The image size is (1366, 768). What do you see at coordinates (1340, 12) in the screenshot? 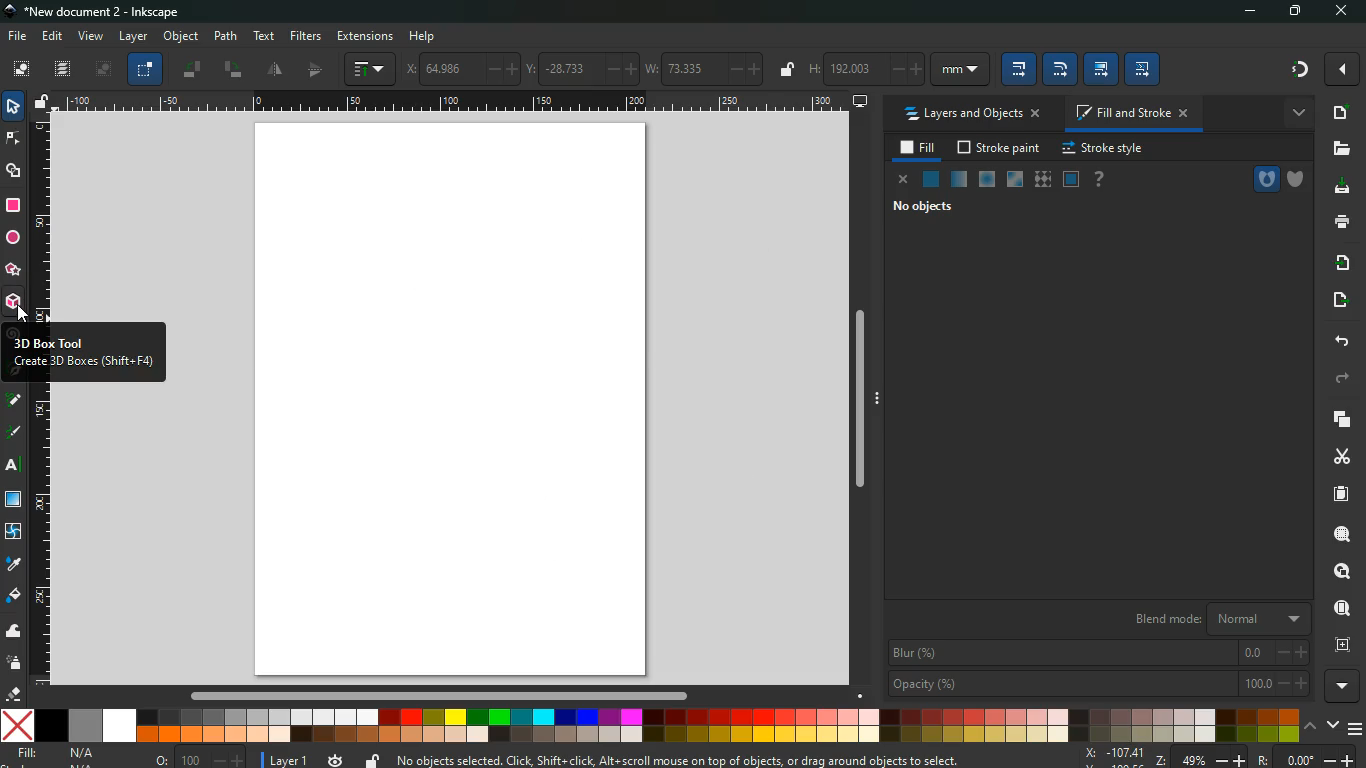
I see `close` at bounding box center [1340, 12].